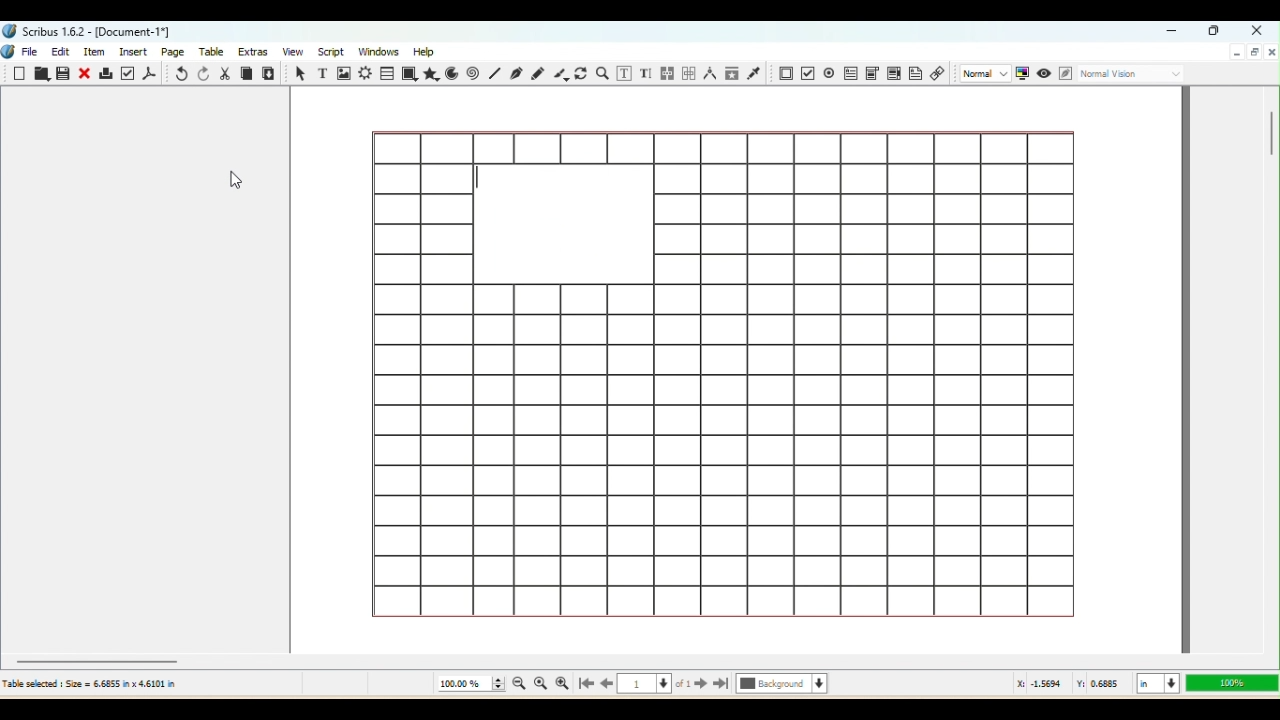 This screenshot has height=720, width=1280. What do you see at coordinates (732, 74) in the screenshot?
I see `Copy item properties` at bounding box center [732, 74].